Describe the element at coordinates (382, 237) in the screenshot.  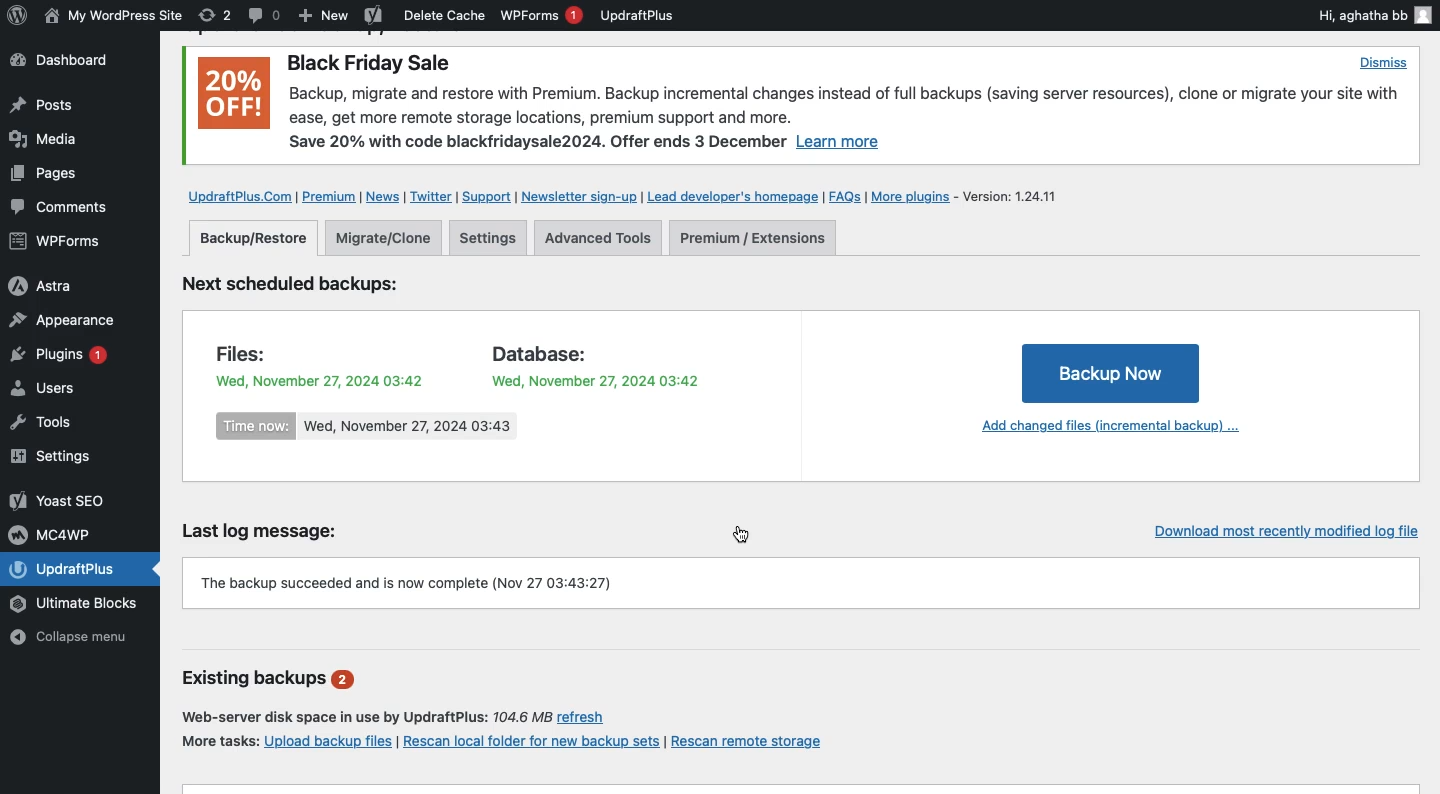
I see `Migrate clone` at that location.